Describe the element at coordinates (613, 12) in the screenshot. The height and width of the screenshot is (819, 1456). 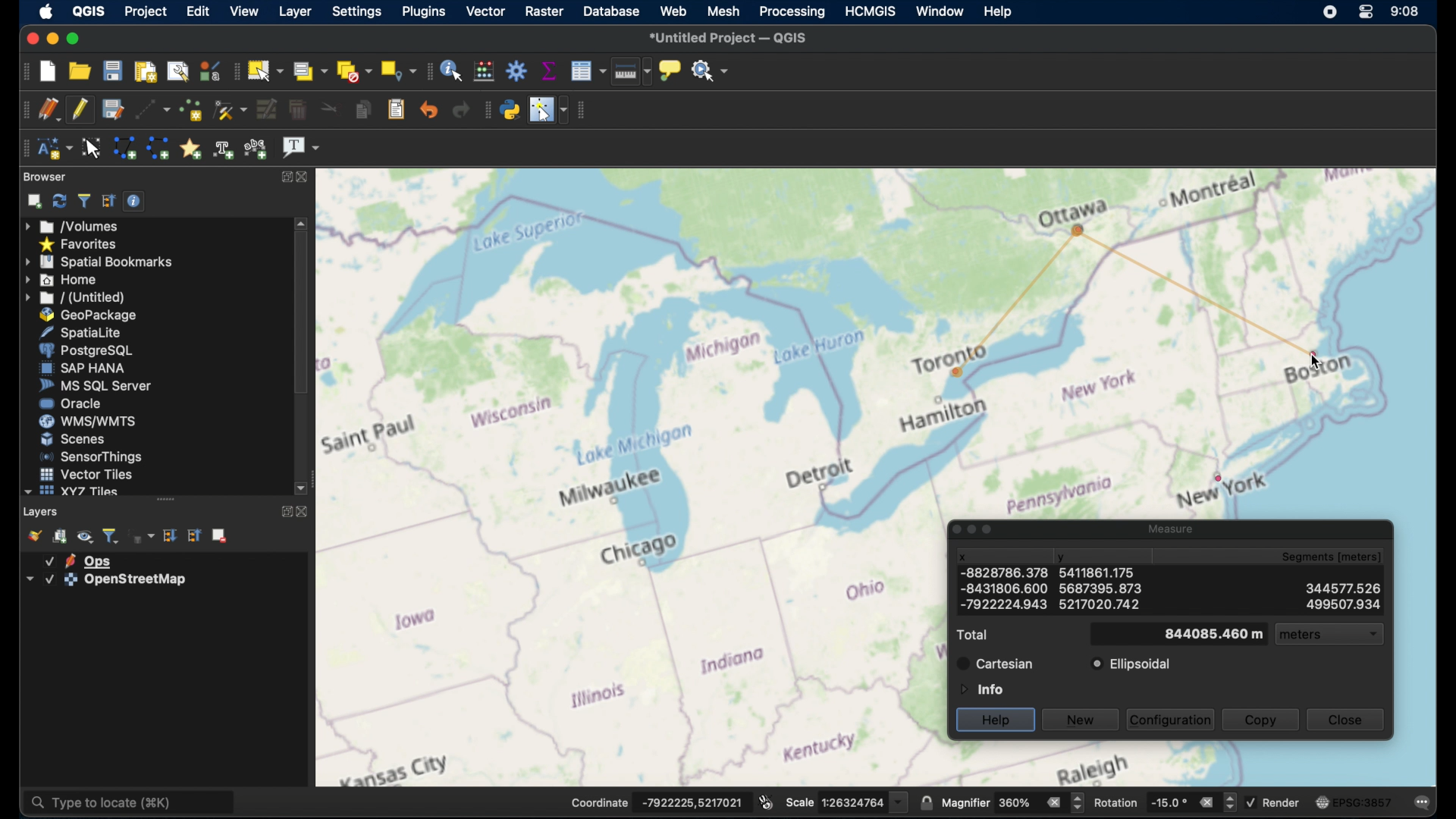
I see `database` at that location.